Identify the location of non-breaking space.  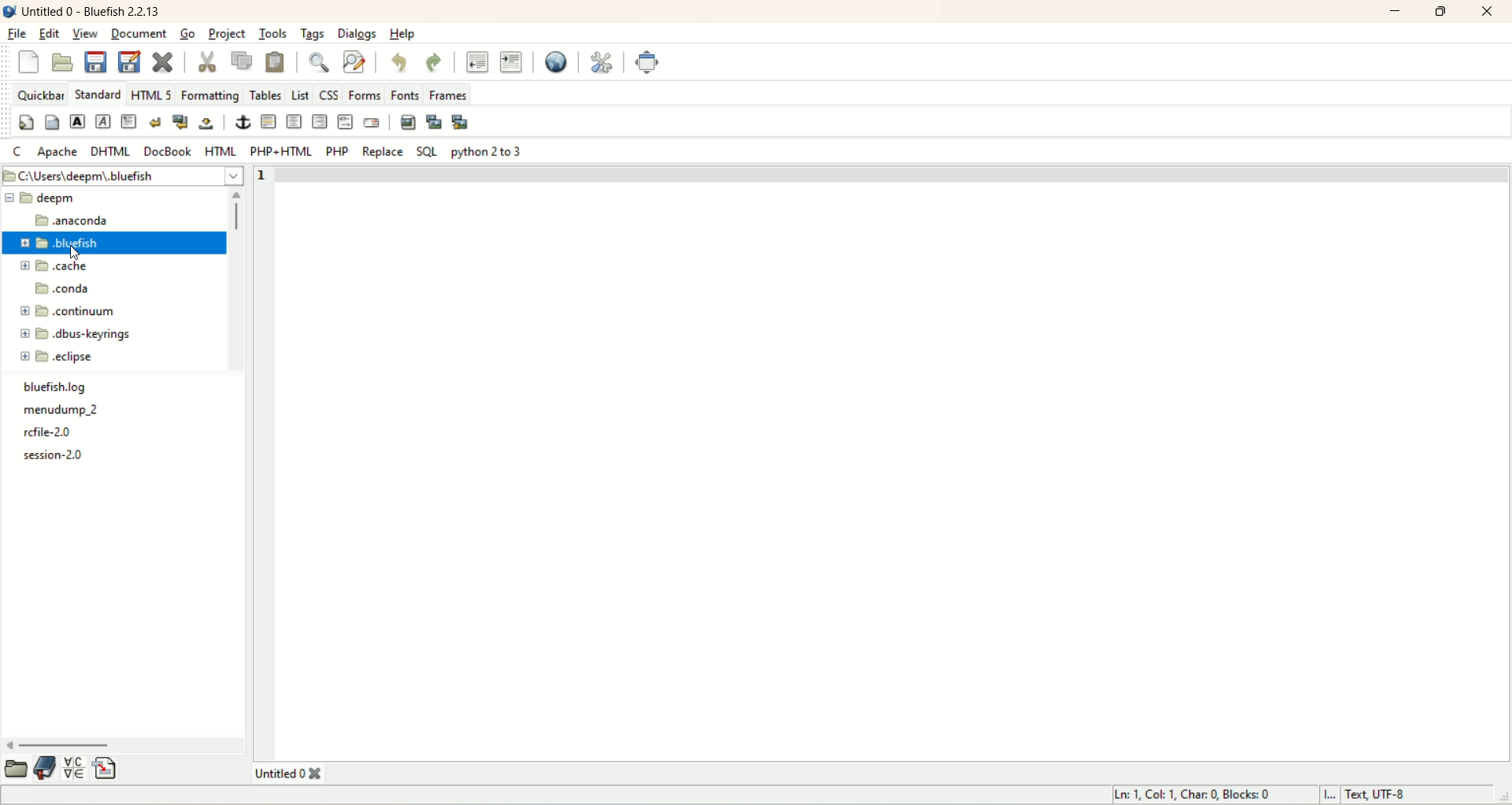
(209, 123).